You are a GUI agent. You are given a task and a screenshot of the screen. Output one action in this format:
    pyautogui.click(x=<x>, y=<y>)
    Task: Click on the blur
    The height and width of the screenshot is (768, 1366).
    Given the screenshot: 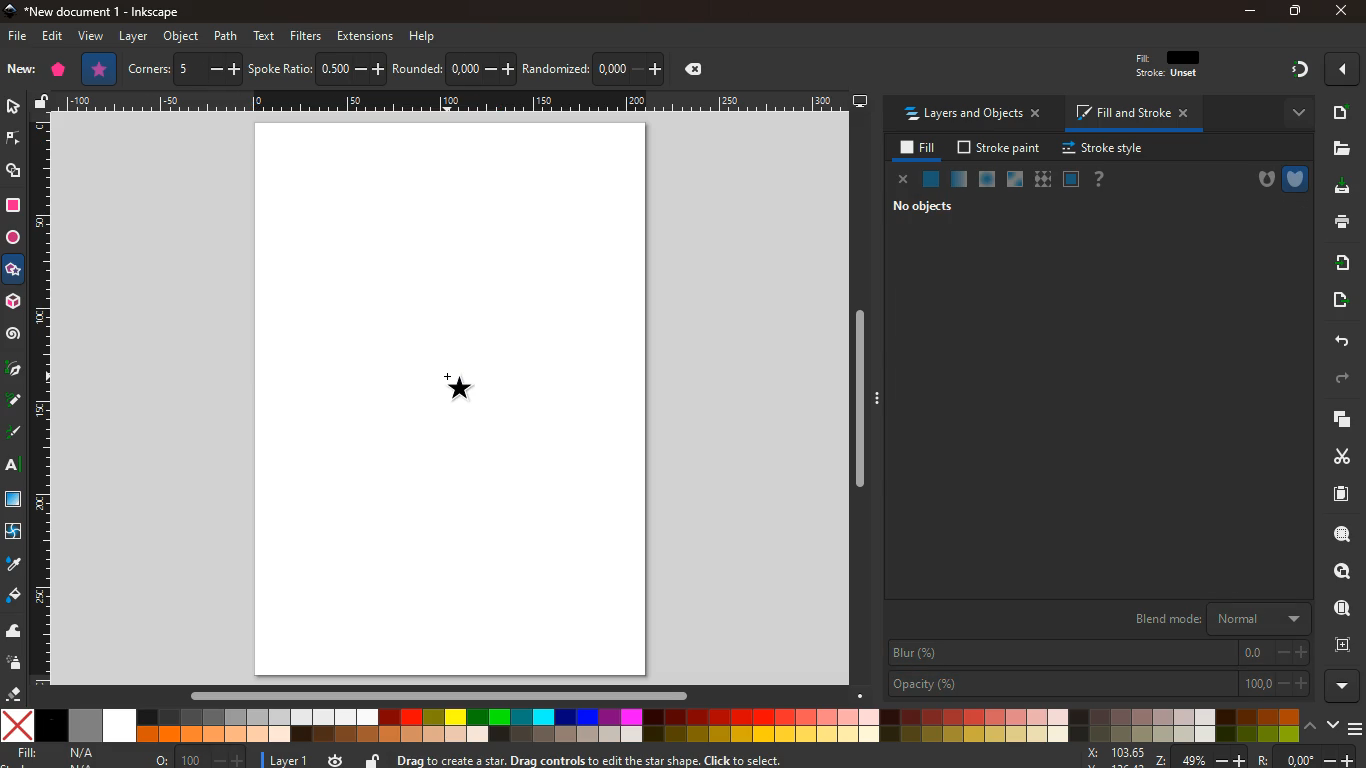 What is the action you would take?
    pyautogui.click(x=1095, y=653)
    